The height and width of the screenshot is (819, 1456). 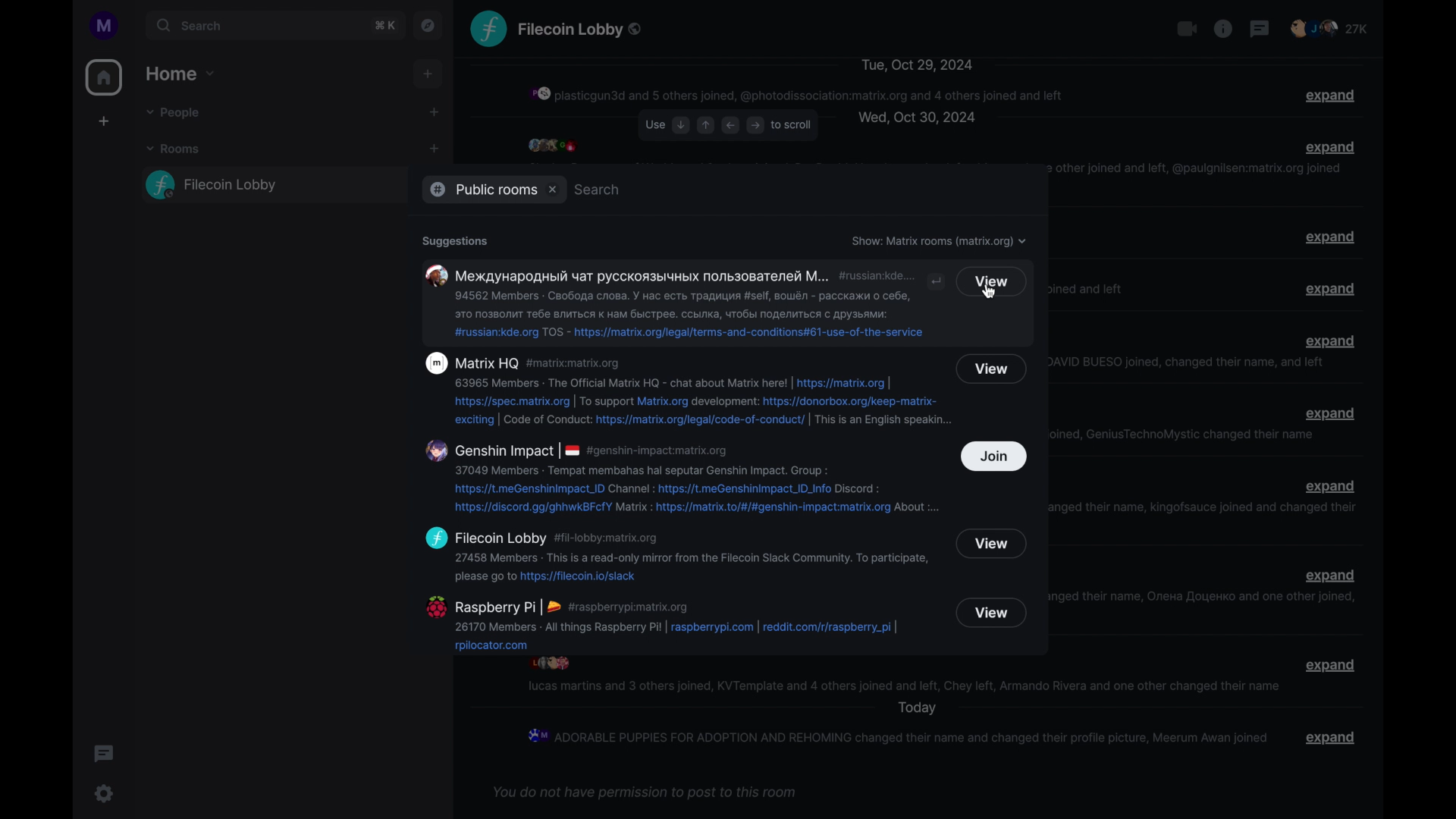 I want to click on expand, so click(x=1331, y=414).